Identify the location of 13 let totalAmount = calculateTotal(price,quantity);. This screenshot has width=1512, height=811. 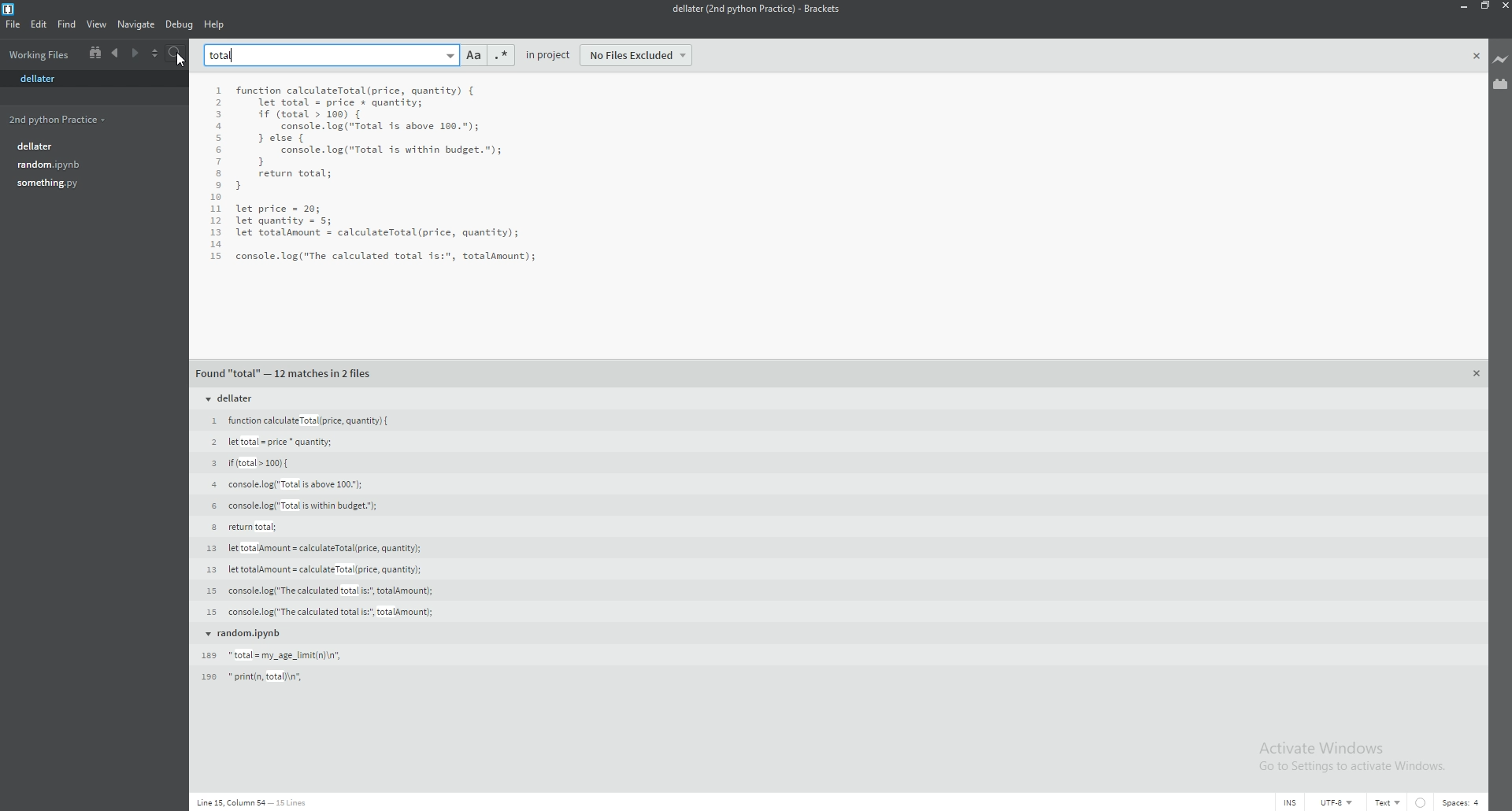
(313, 568).